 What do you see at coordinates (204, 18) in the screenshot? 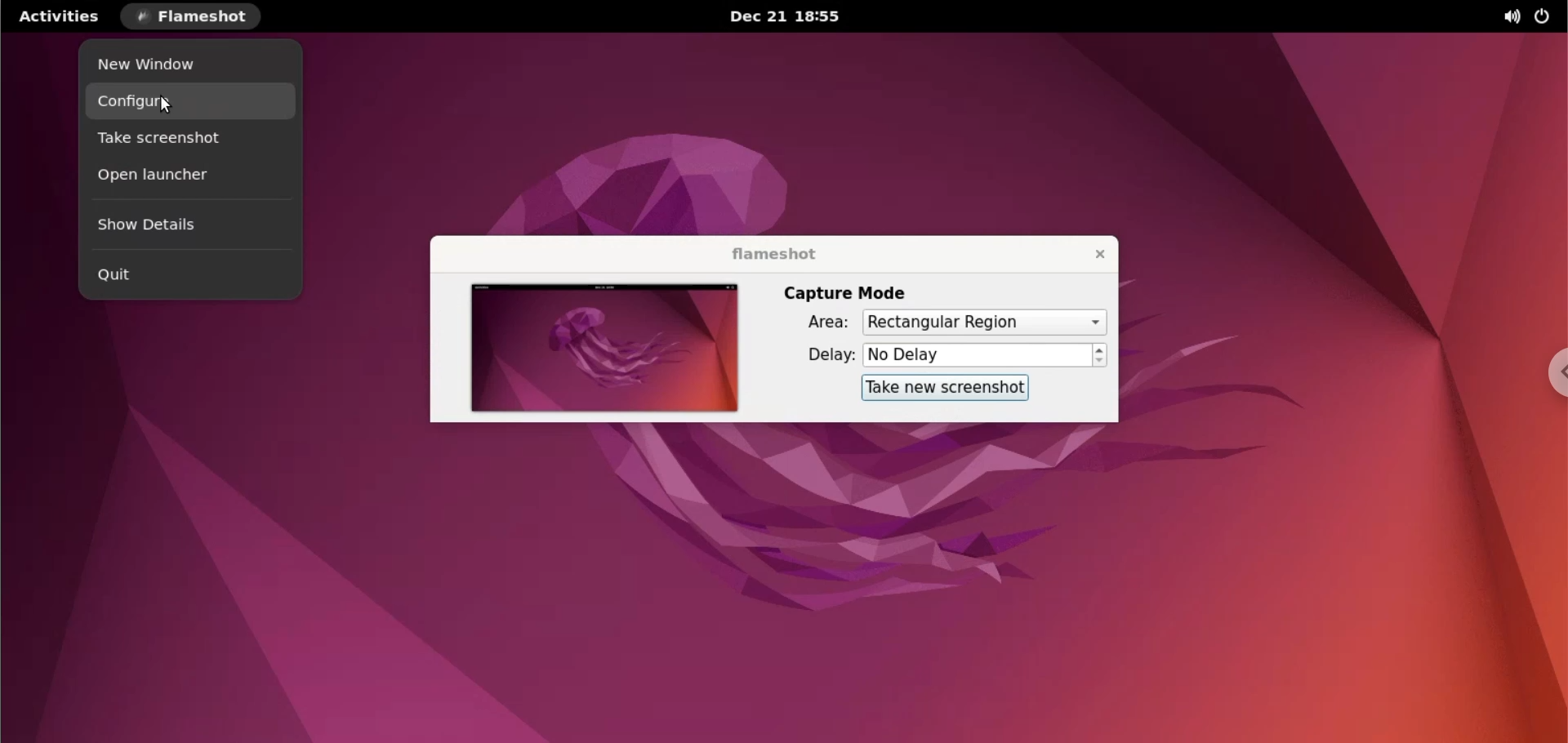
I see `FLAMESHOT` at bounding box center [204, 18].